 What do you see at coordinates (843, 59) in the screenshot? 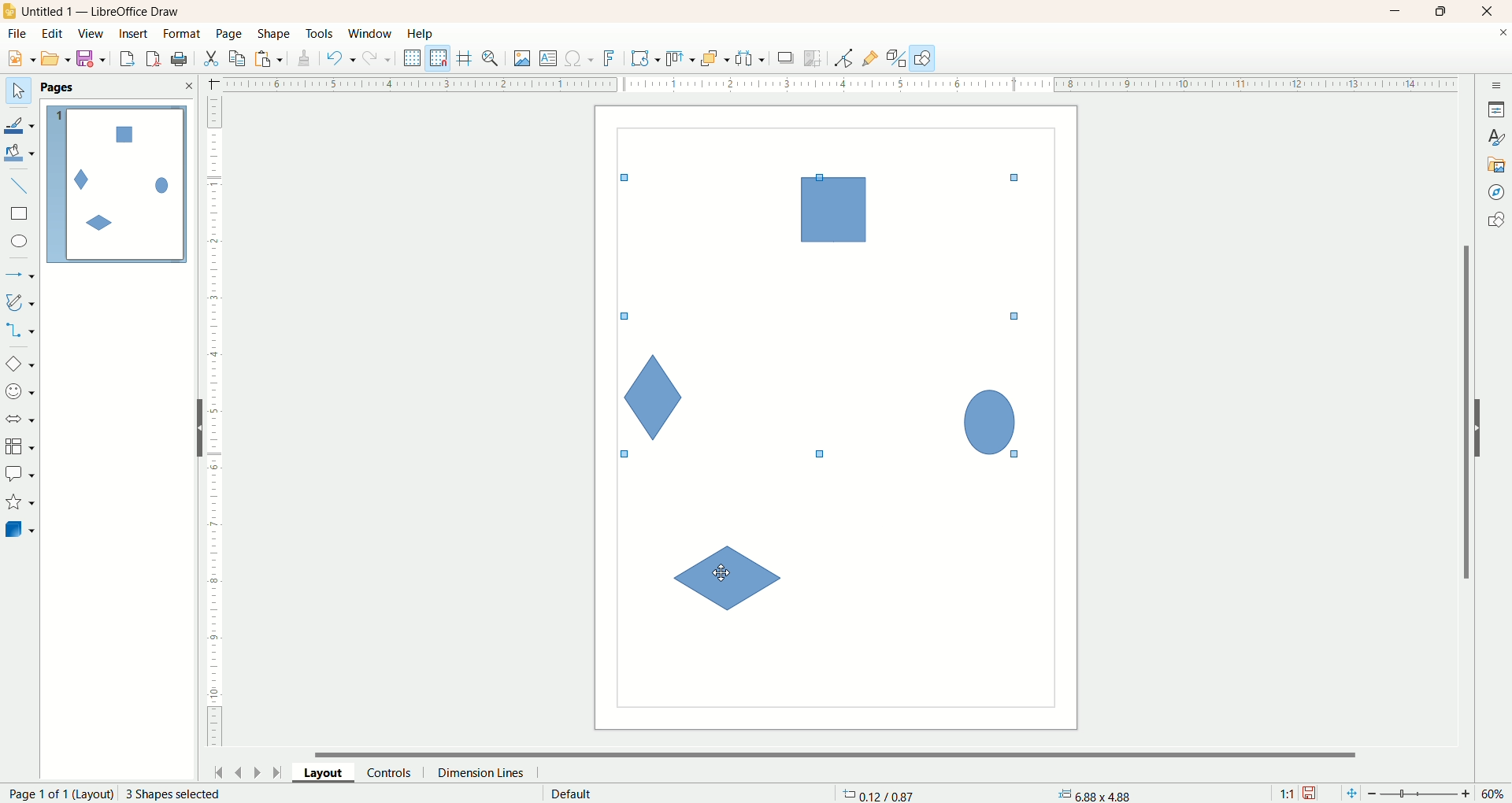
I see `point edit mode` at bounding box center [843, 59].